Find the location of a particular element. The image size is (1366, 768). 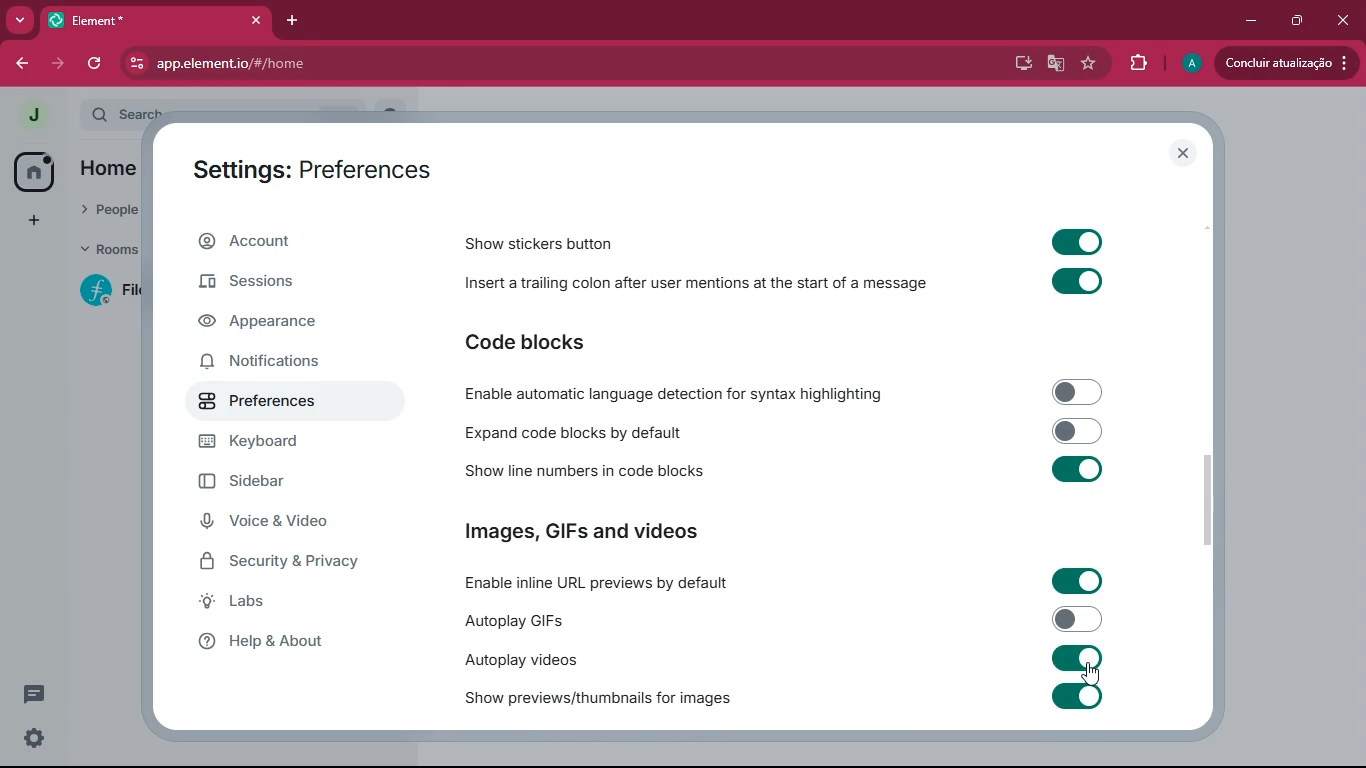

show stickers button is located at coordinates (541, 243).